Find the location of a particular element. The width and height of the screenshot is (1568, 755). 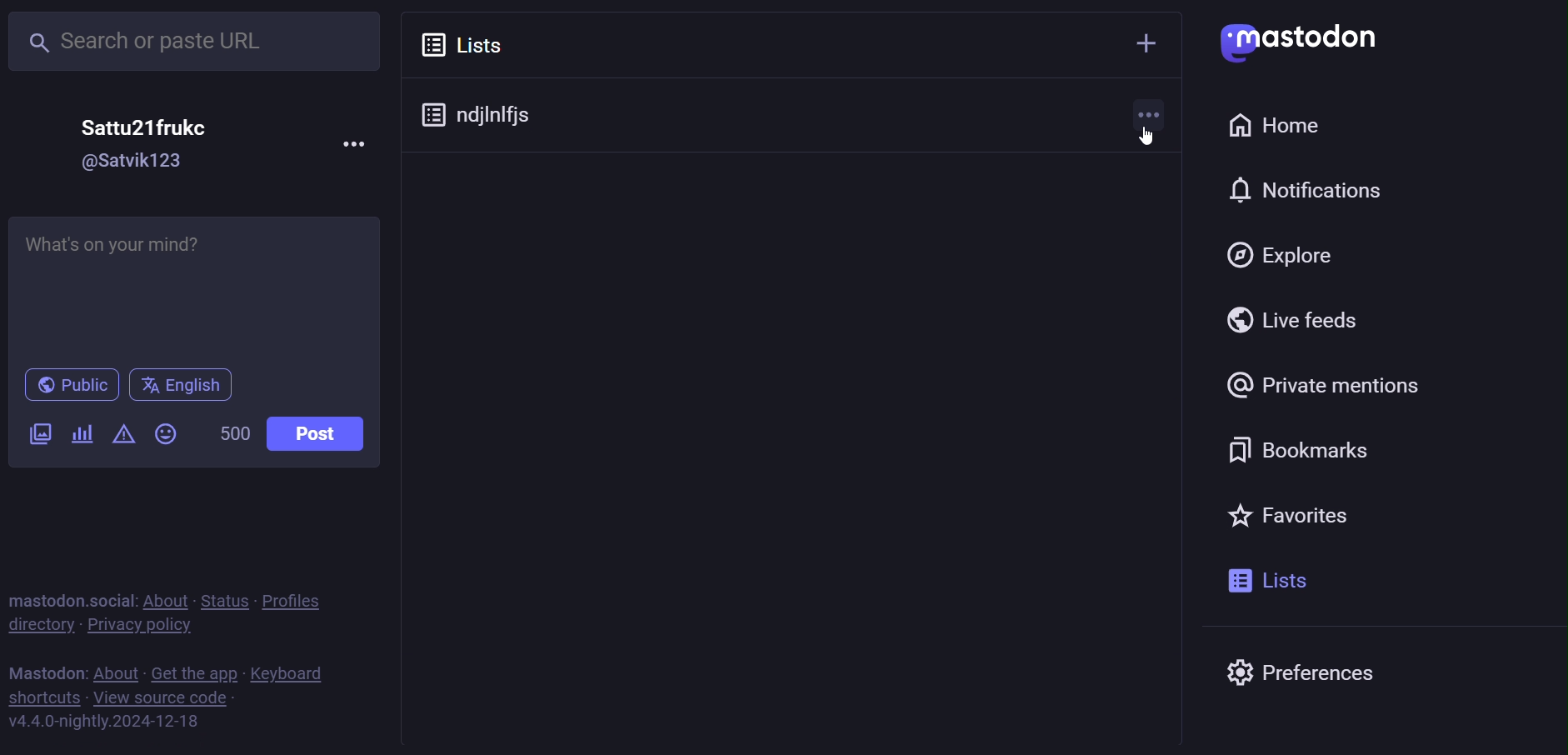

mastodon social is located at coordinates (71, 597).